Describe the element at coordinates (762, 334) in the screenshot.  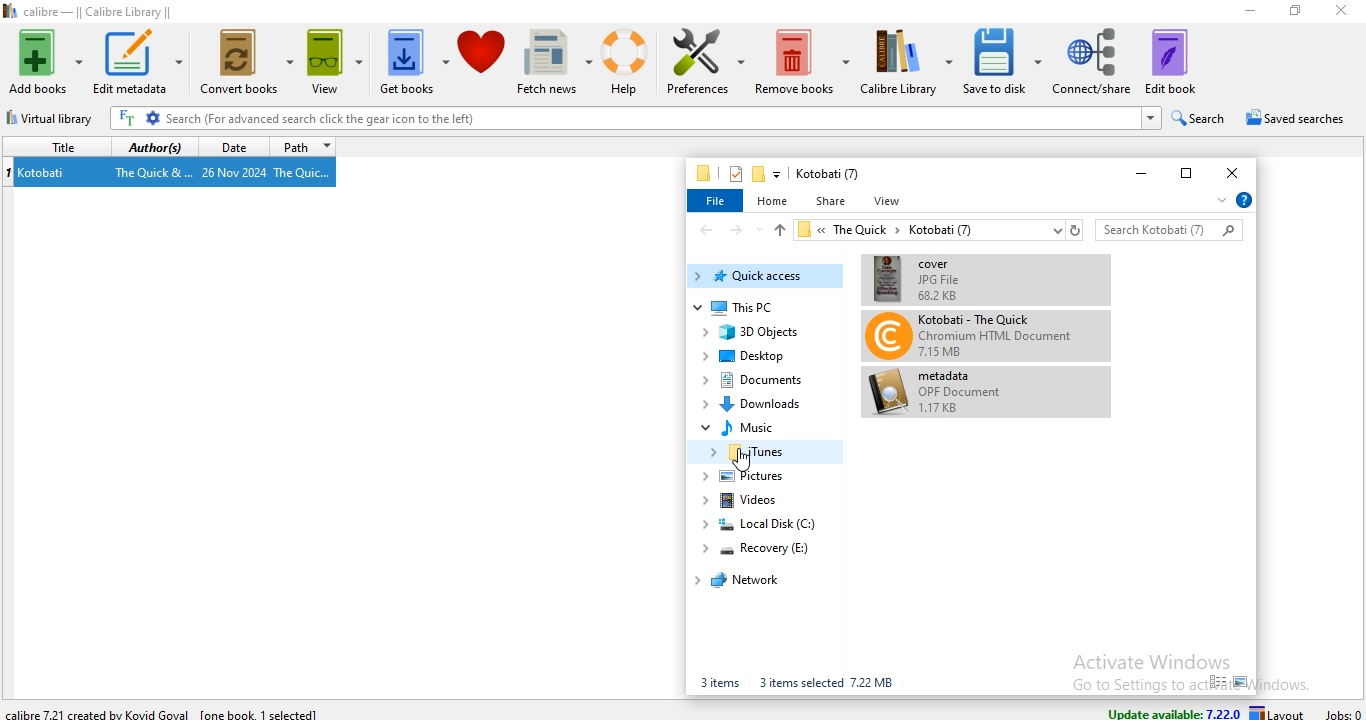
I see `3D Objects` at that location.